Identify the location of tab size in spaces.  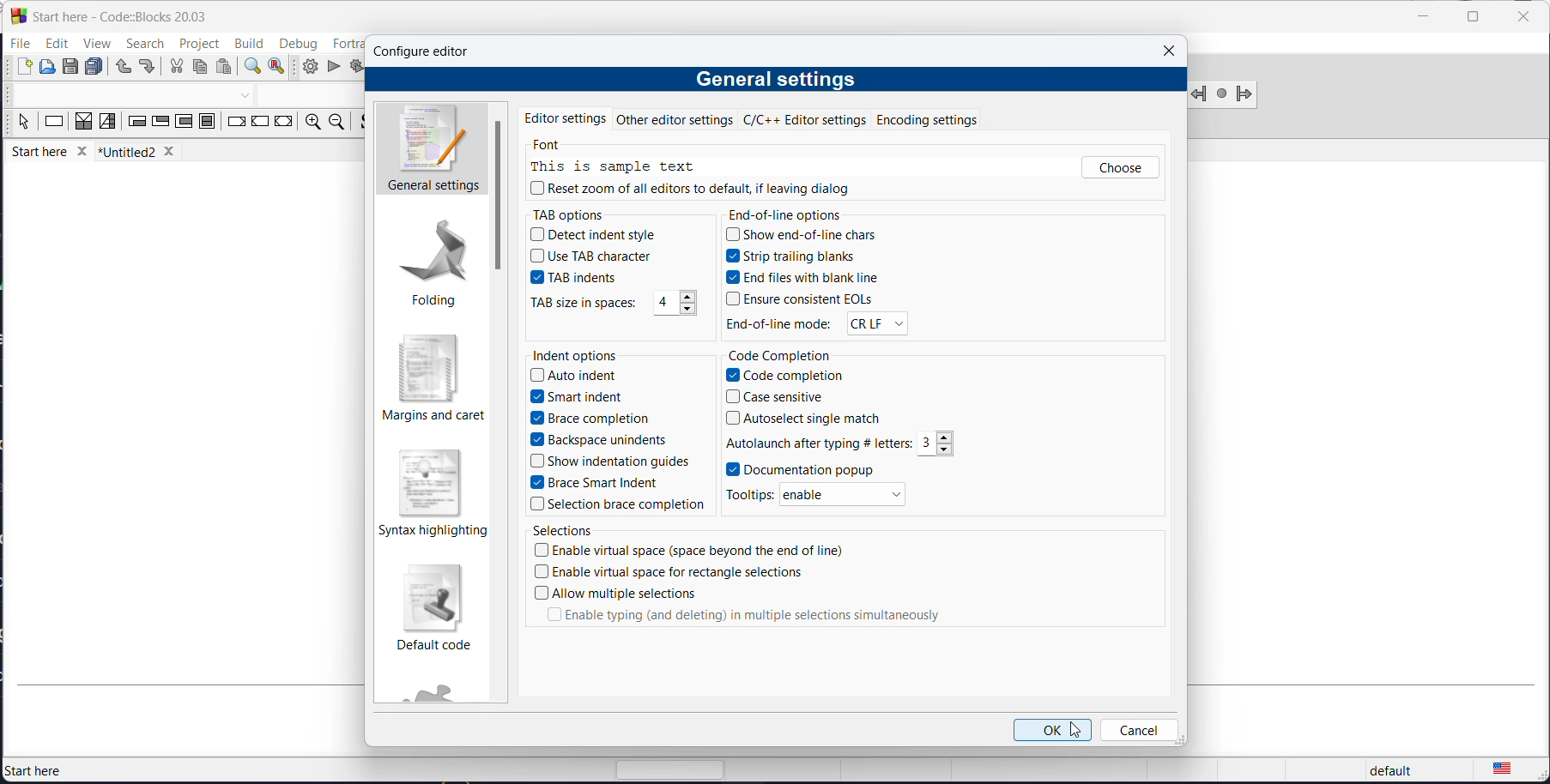
(588, 303).